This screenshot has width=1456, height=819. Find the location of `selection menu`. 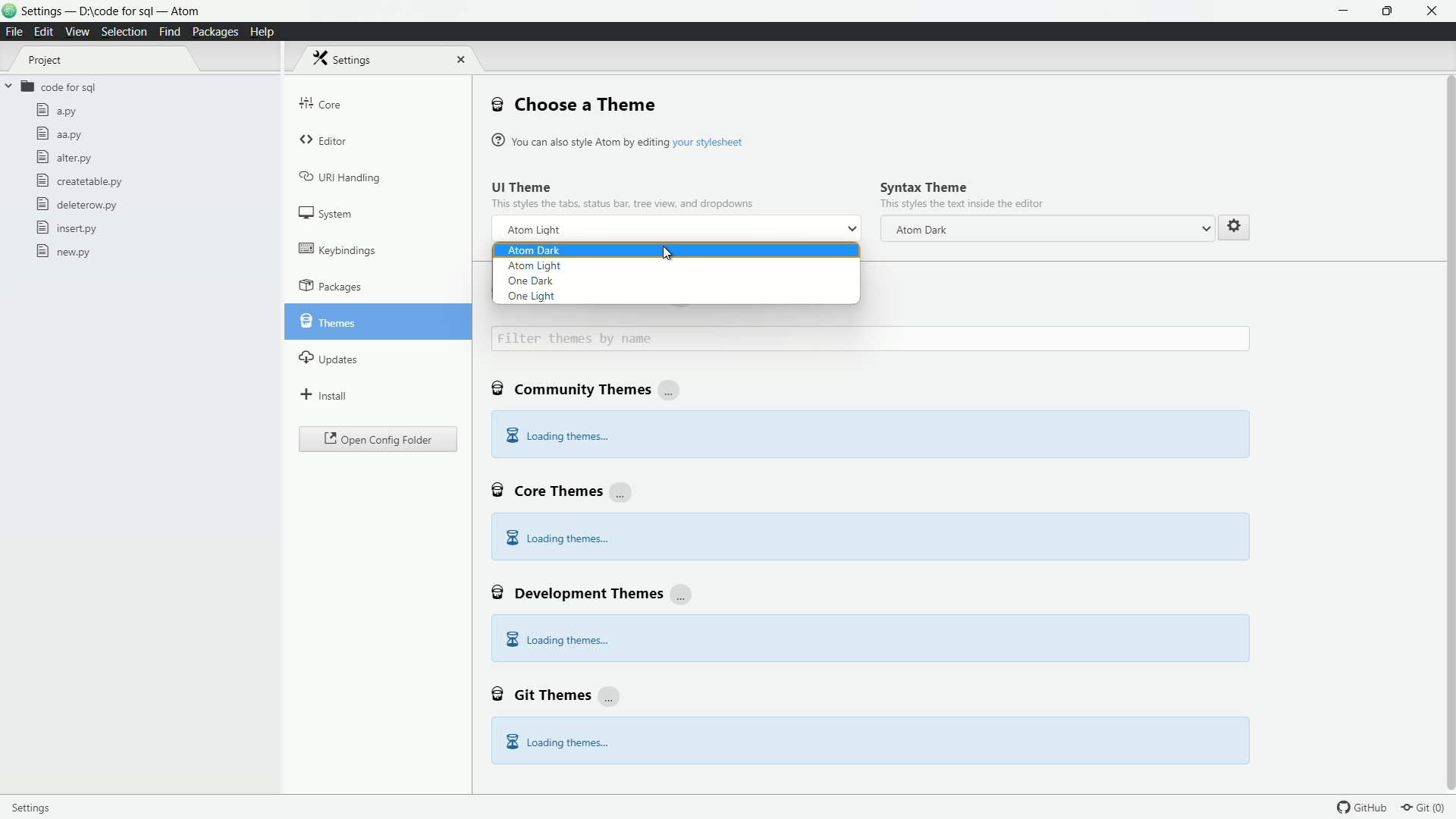

selection menu is located at coordinates (124, 33).